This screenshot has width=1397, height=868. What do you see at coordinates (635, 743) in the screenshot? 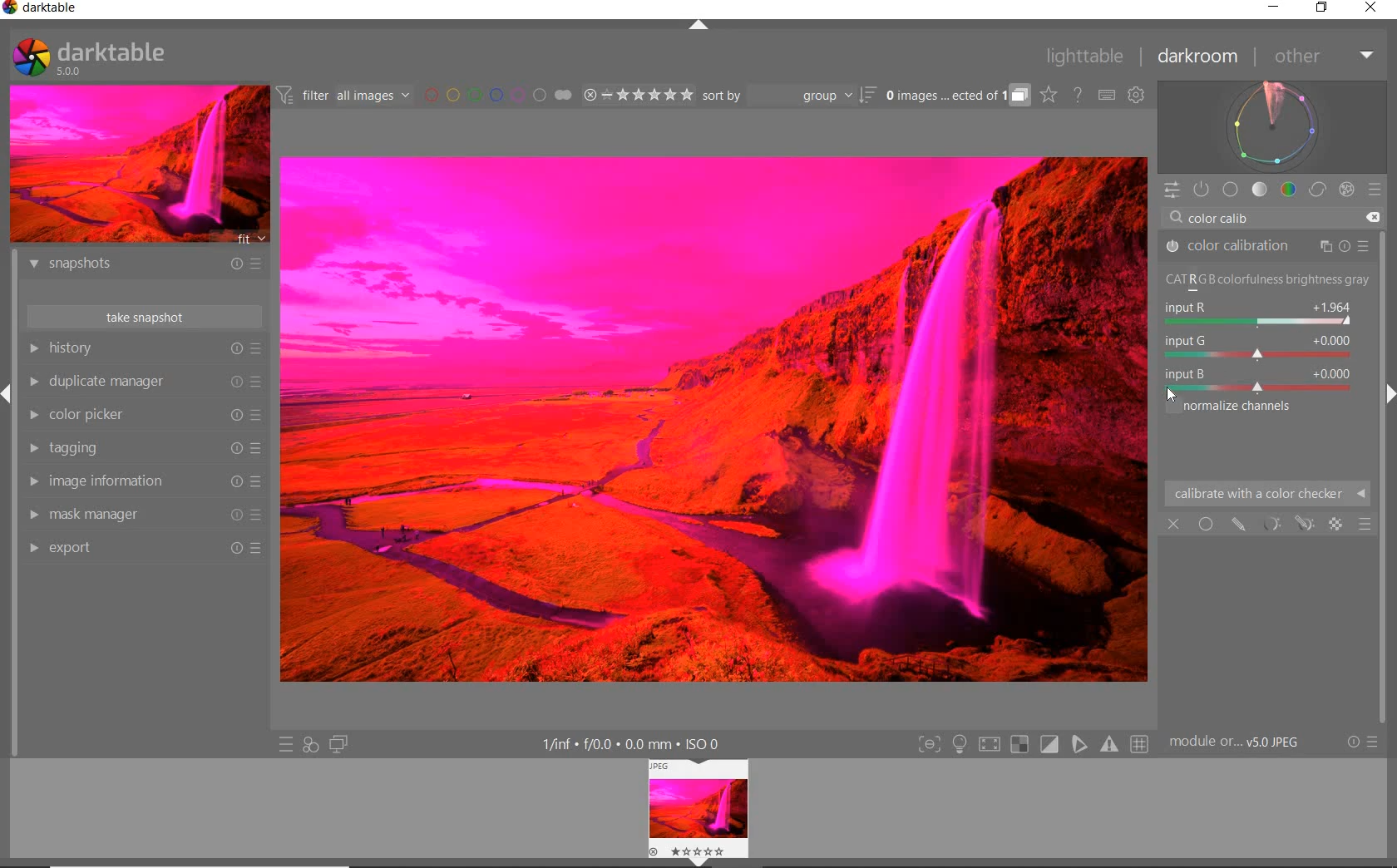
I see `DISPLAYED GUI INFO` at bounding box center [635, 743].